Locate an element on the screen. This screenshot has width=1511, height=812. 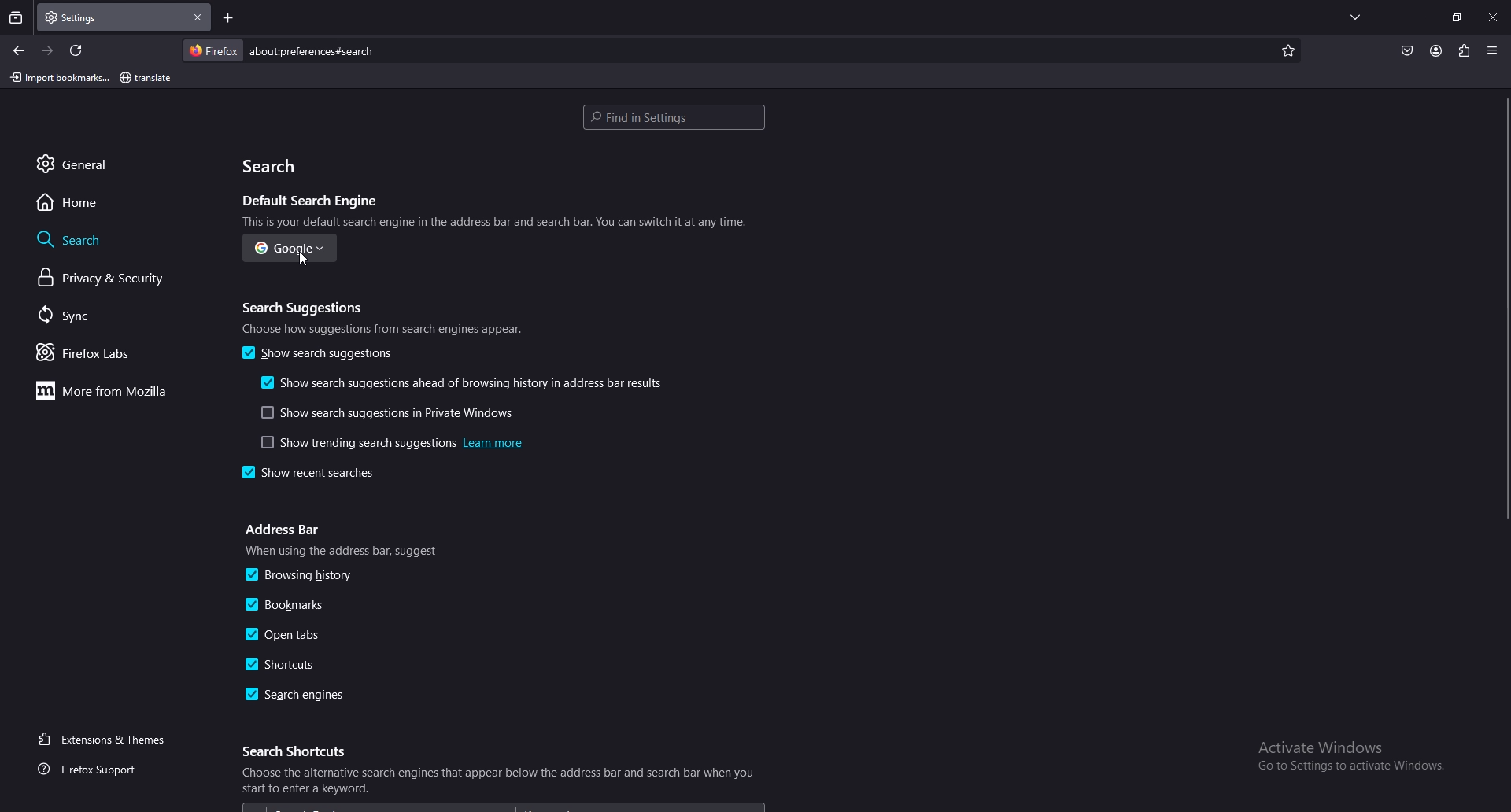
show recent searches is located at coordinates (324, 474).